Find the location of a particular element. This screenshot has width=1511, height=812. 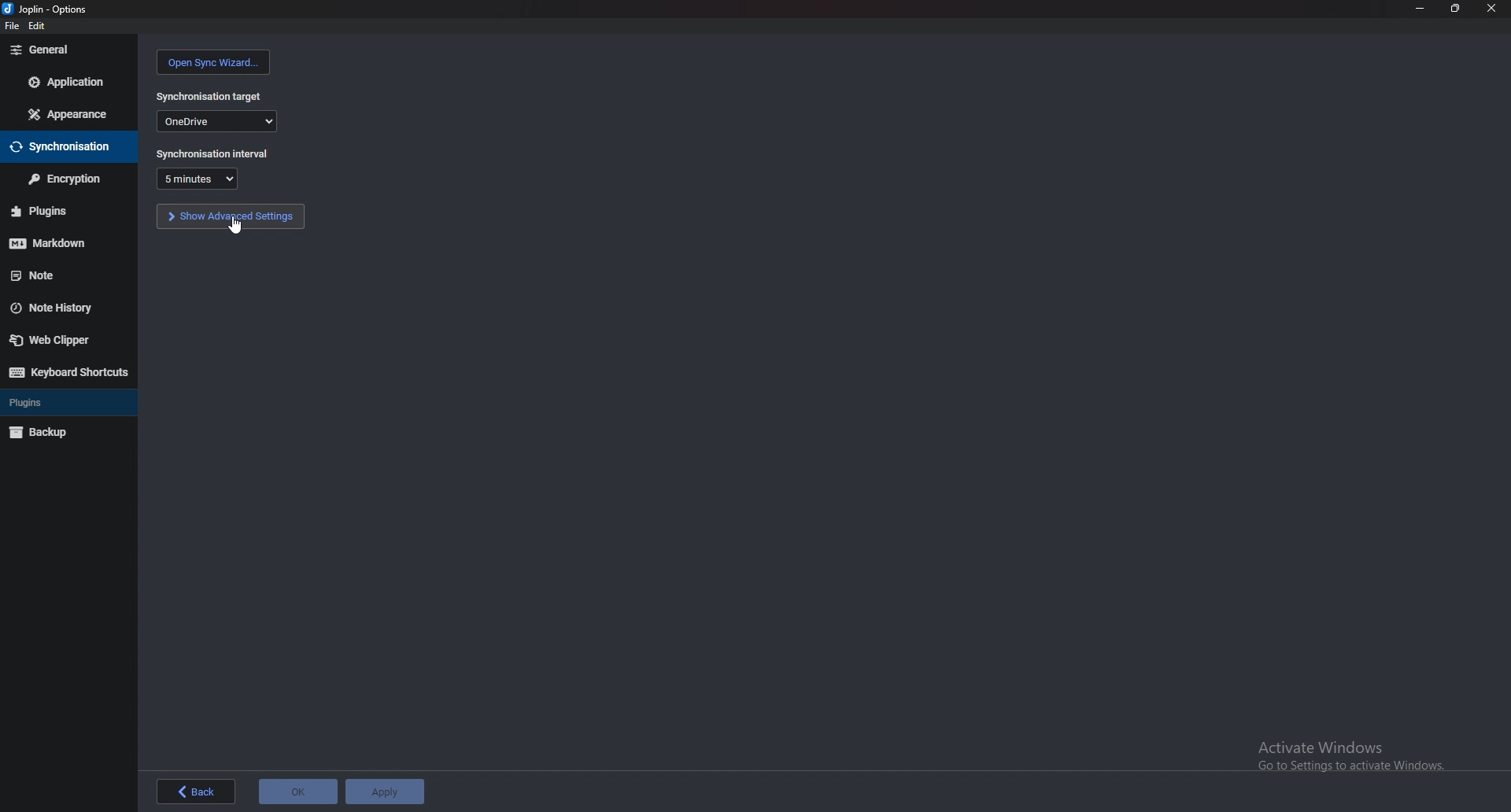

keyboard shortcuts is located at coordinates (65, 371).